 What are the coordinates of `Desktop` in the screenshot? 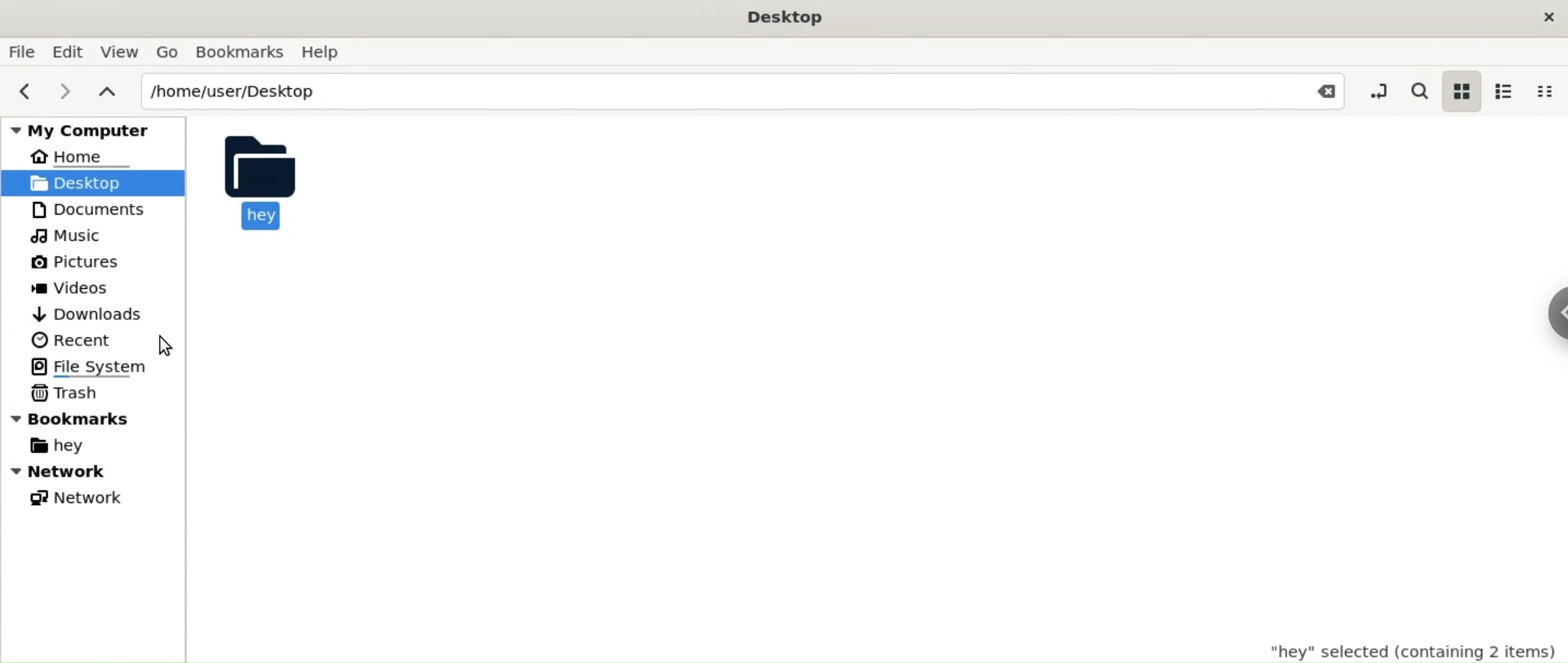 It's located at (86, 182).